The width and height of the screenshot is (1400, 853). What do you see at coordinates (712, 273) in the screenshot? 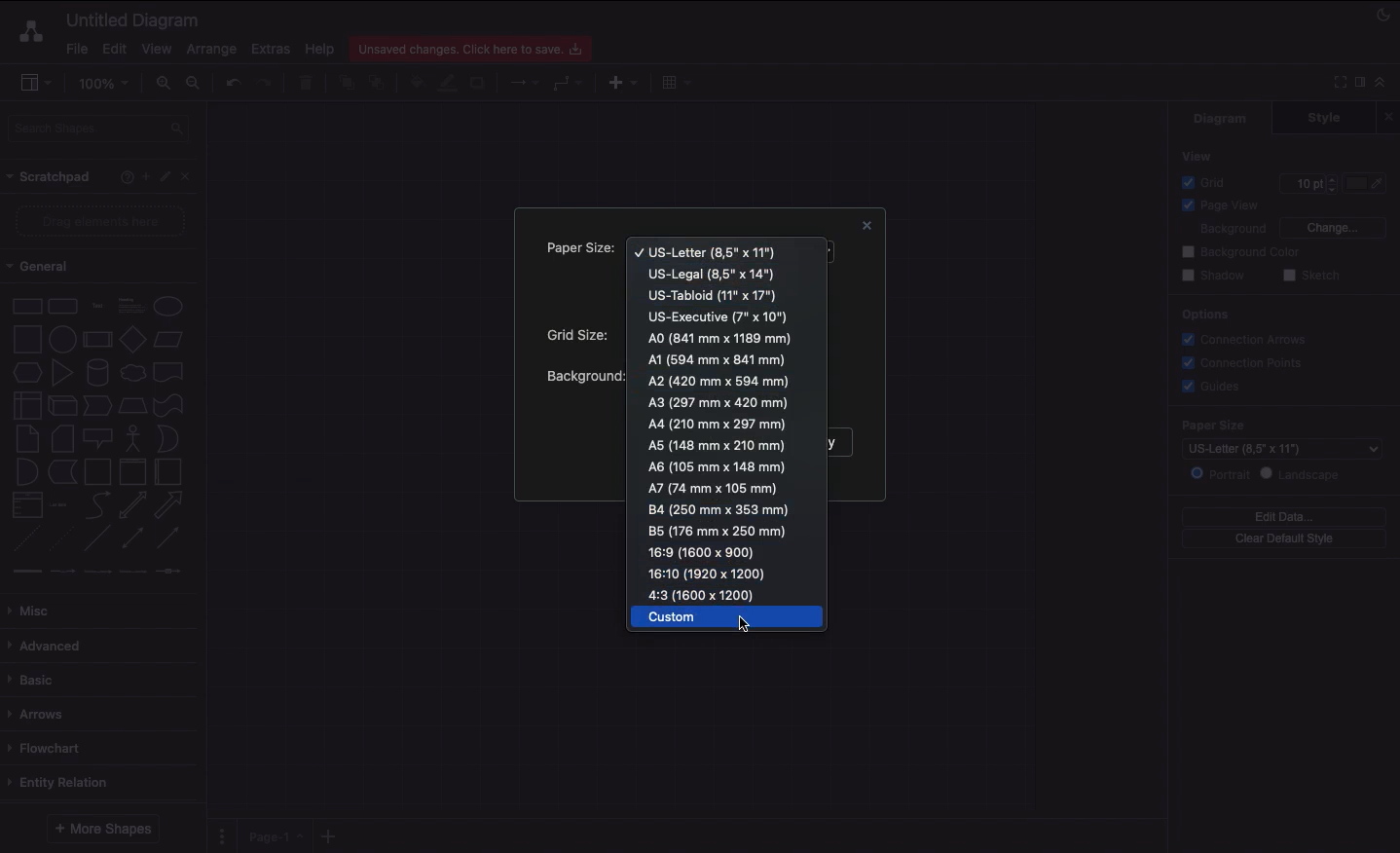
I see `US legal ` at bounding box center [712, 273].